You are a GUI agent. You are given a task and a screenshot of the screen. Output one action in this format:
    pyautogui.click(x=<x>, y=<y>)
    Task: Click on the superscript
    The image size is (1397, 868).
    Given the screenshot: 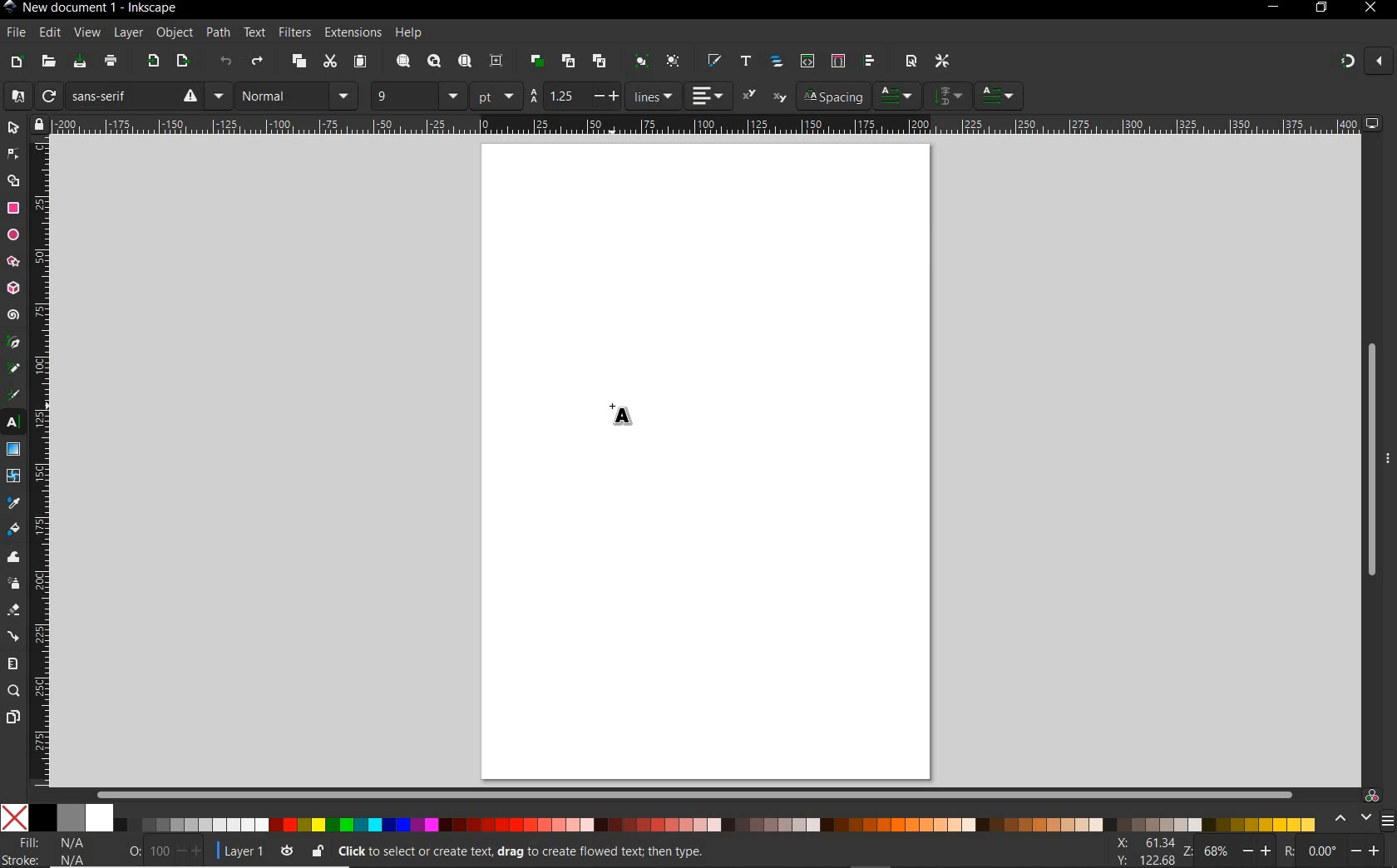 What is the action you would take?
    pyautogui.click(x=750, y=95)
    